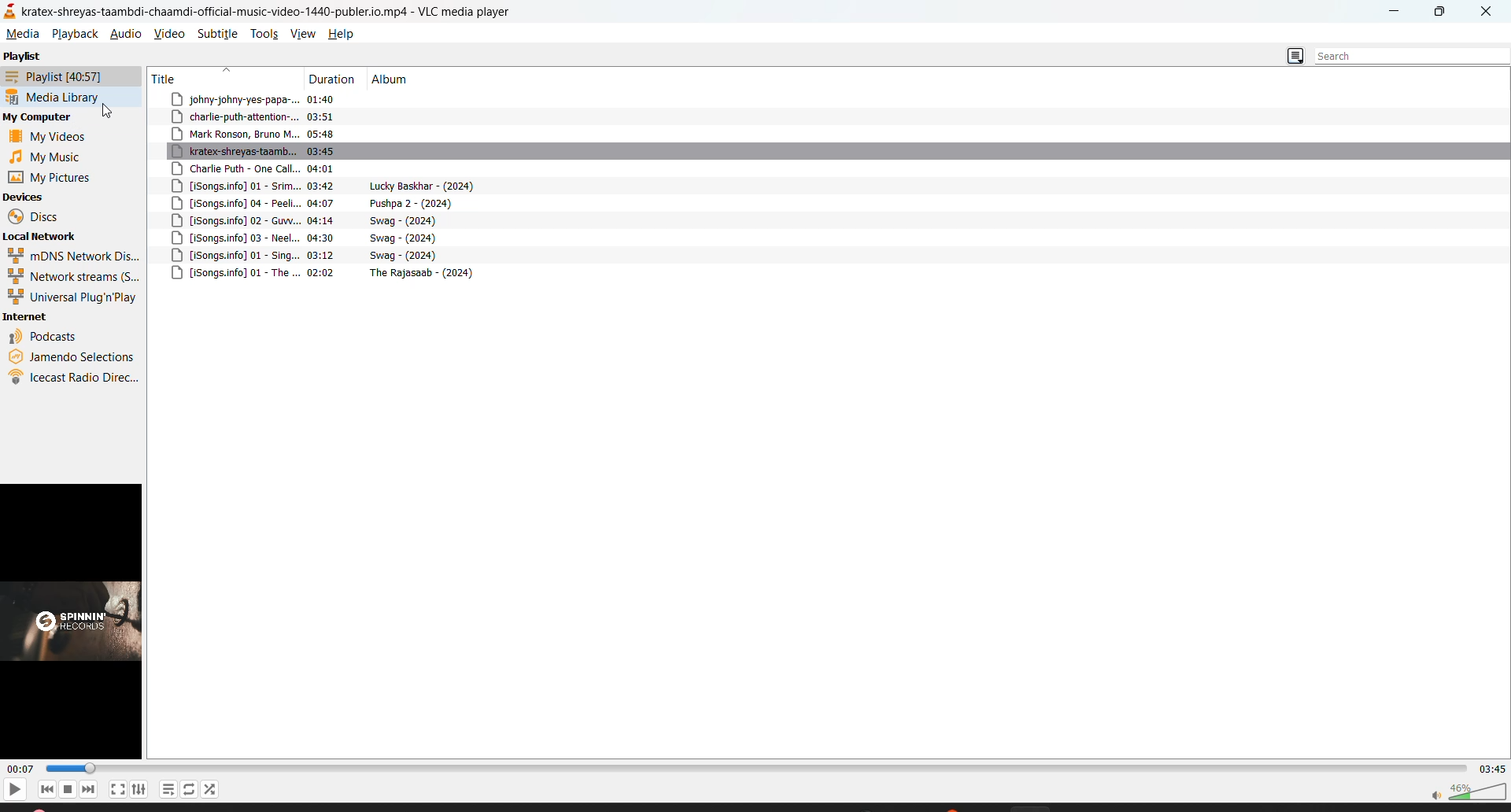  I want to click on search, so click(1402, 53).